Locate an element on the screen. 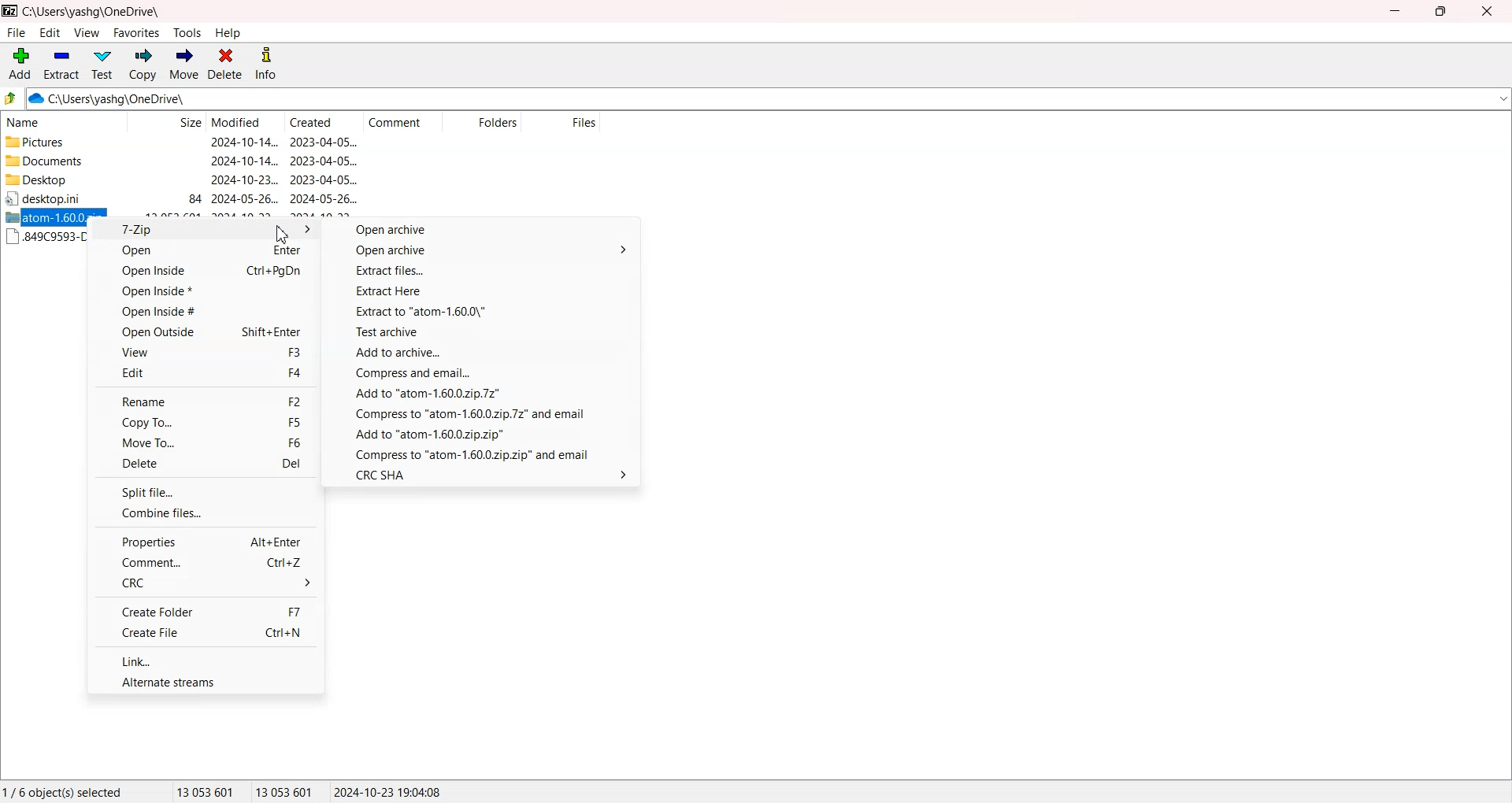  Compress to 7z and email is located at coordinates (483, 415).